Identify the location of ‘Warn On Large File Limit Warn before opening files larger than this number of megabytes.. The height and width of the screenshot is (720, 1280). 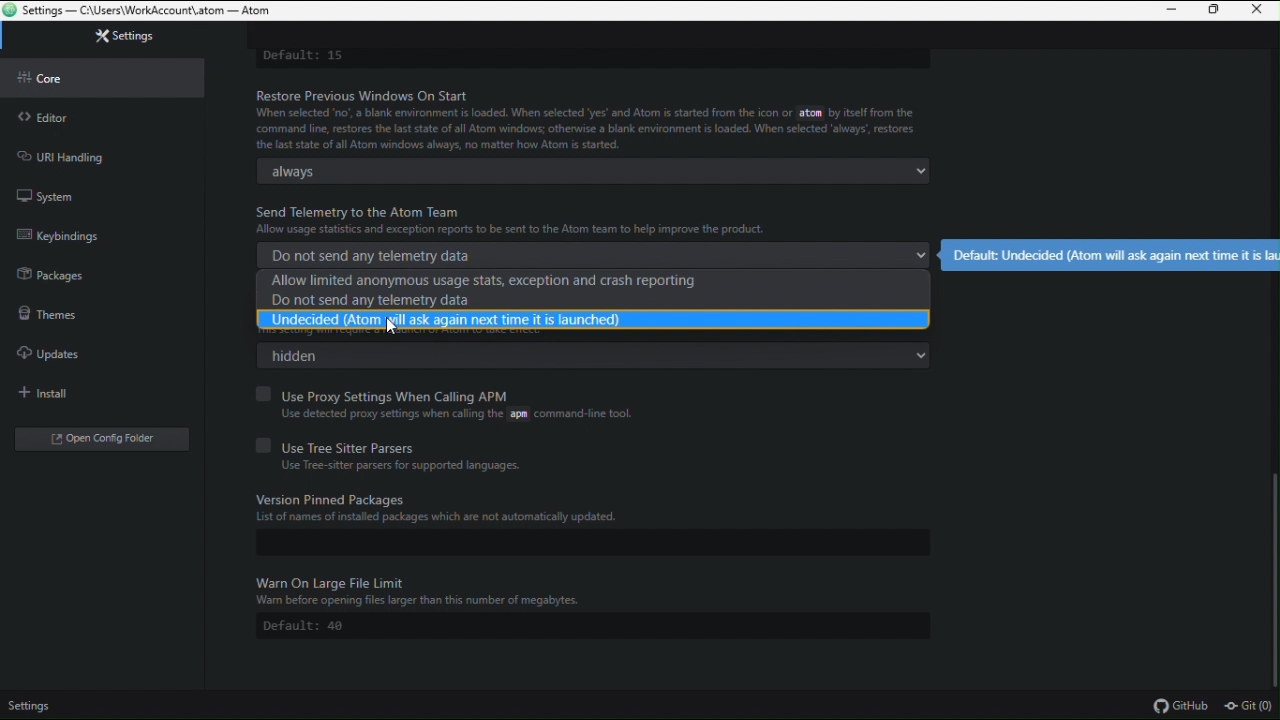
(419, 588).